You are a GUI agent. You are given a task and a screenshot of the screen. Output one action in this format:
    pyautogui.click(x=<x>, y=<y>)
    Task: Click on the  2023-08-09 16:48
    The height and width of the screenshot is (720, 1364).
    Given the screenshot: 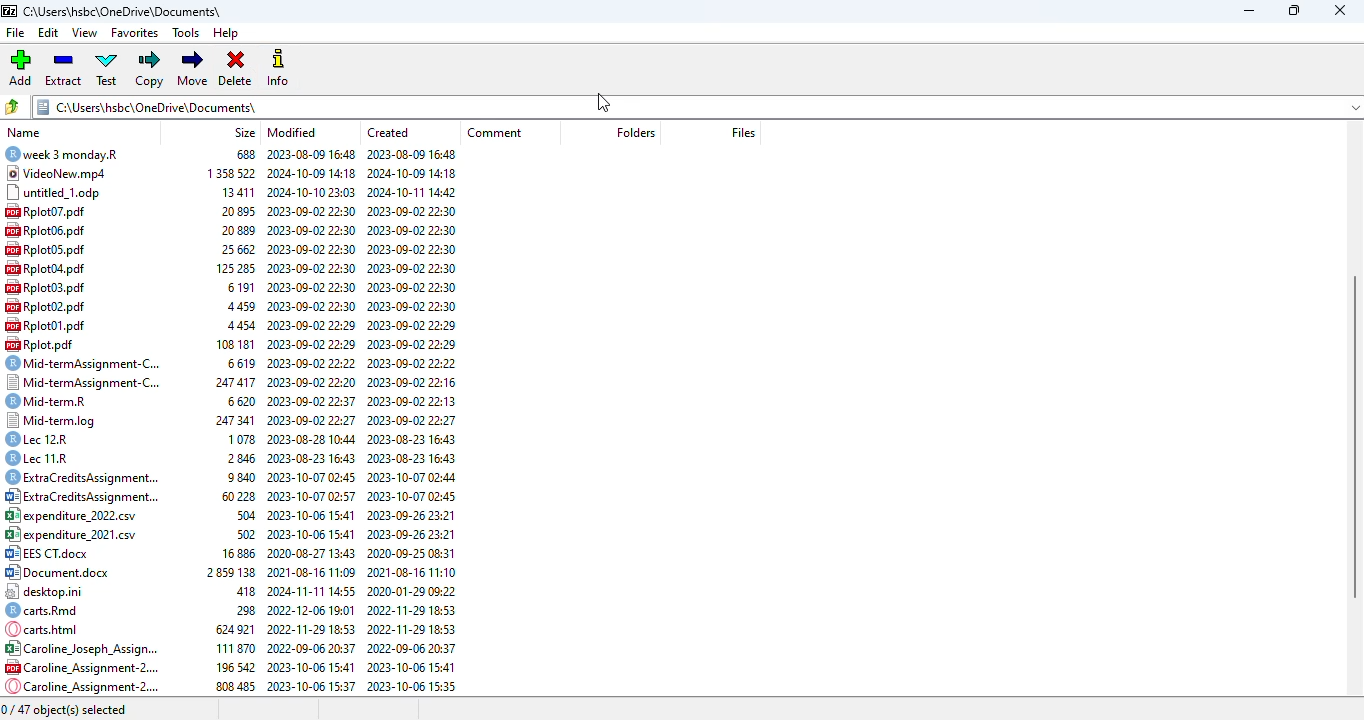 What is the action you would take?
    pyautogui.click(x=414, y=156)
    